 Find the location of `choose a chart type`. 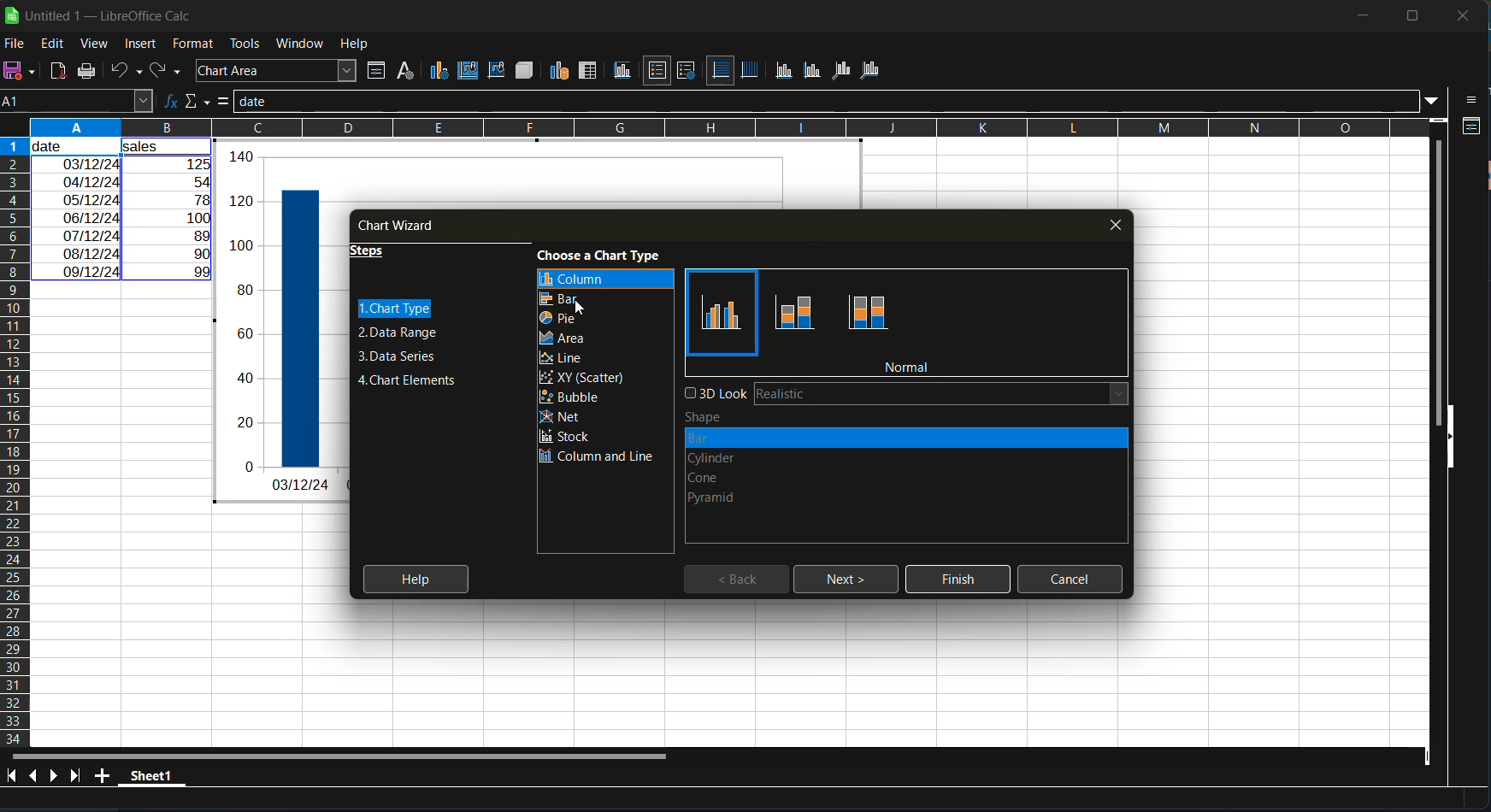

choose a chart type is located at coordinates (604, 254).